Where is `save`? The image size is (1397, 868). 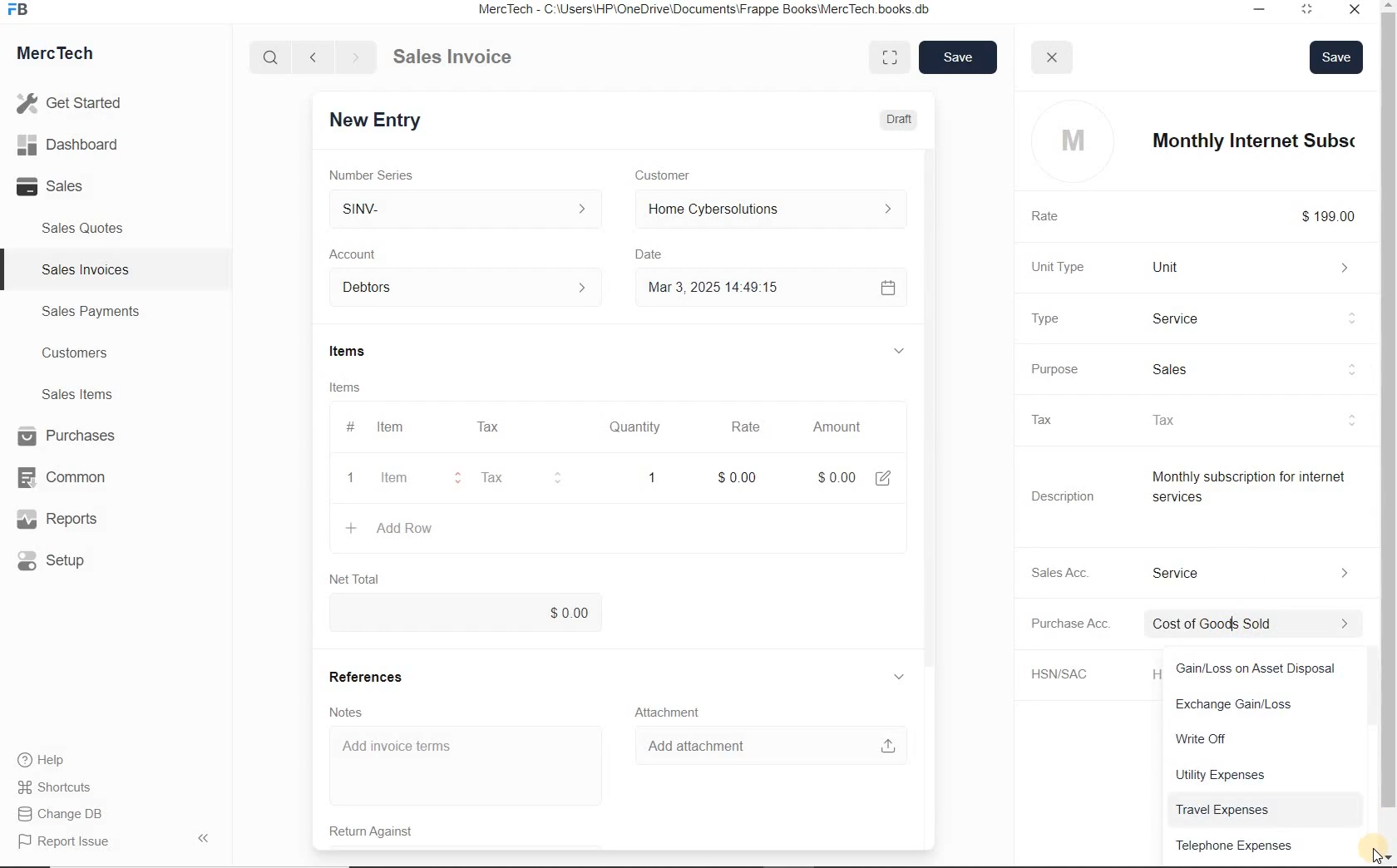 save is located at coordinates (955, 58).